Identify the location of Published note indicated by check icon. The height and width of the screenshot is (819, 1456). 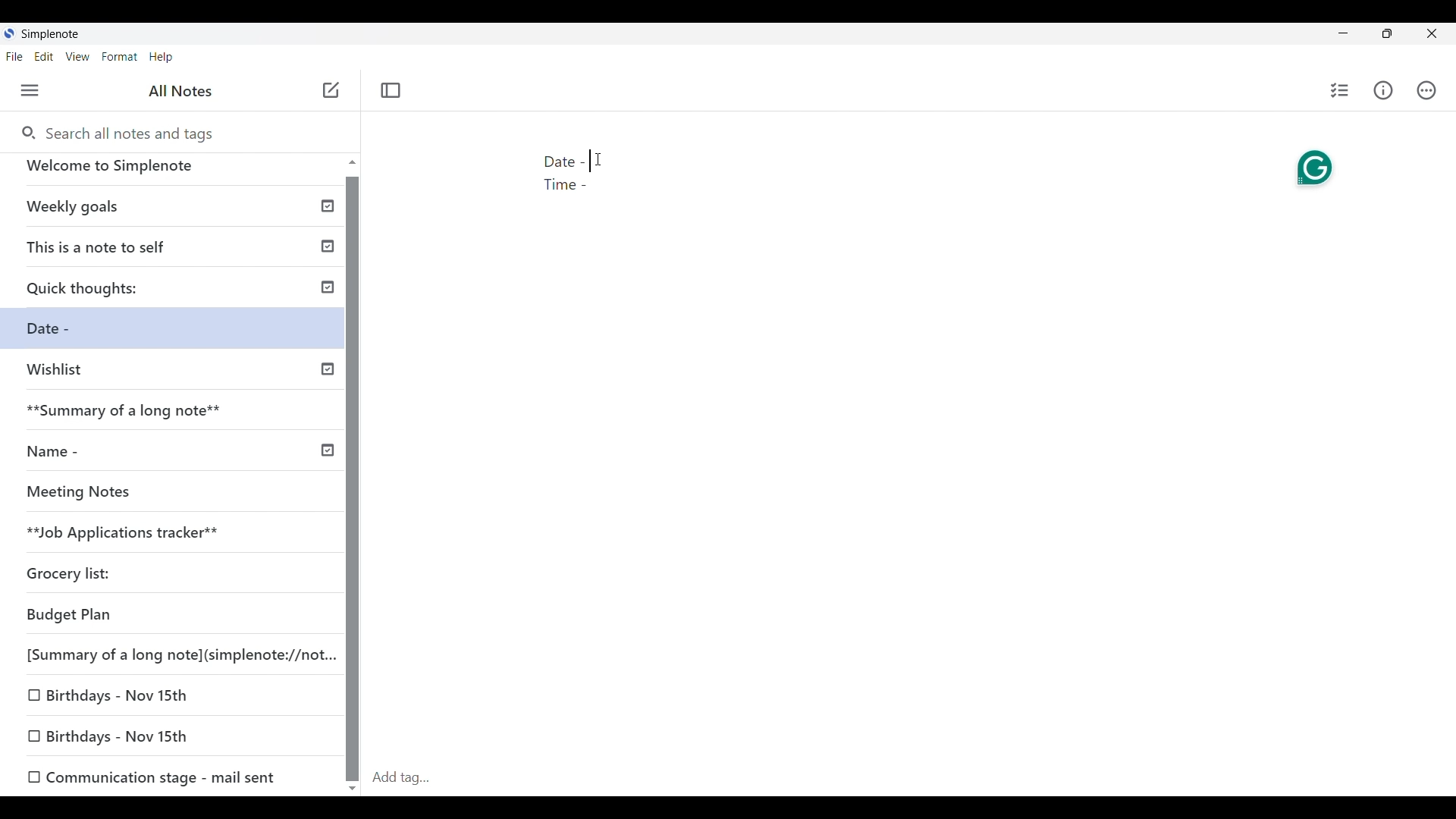
(181, 252).